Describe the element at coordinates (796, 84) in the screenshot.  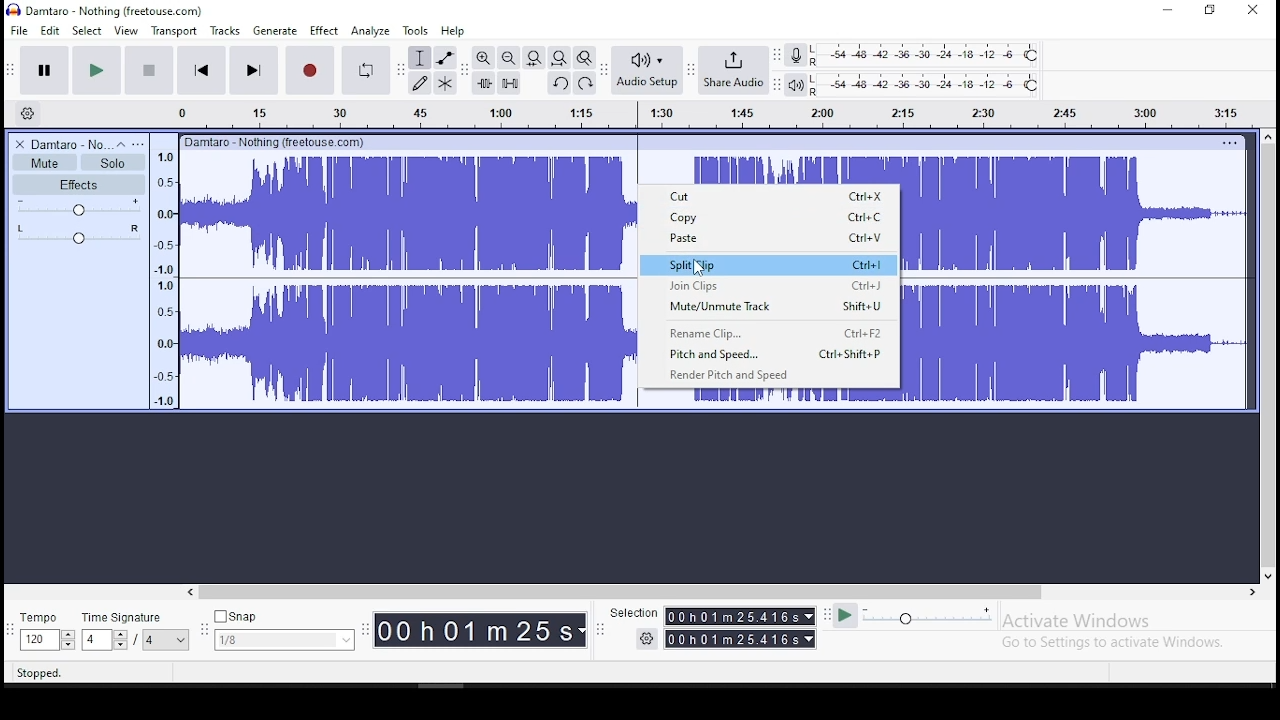
I see `playback meter` at that location.